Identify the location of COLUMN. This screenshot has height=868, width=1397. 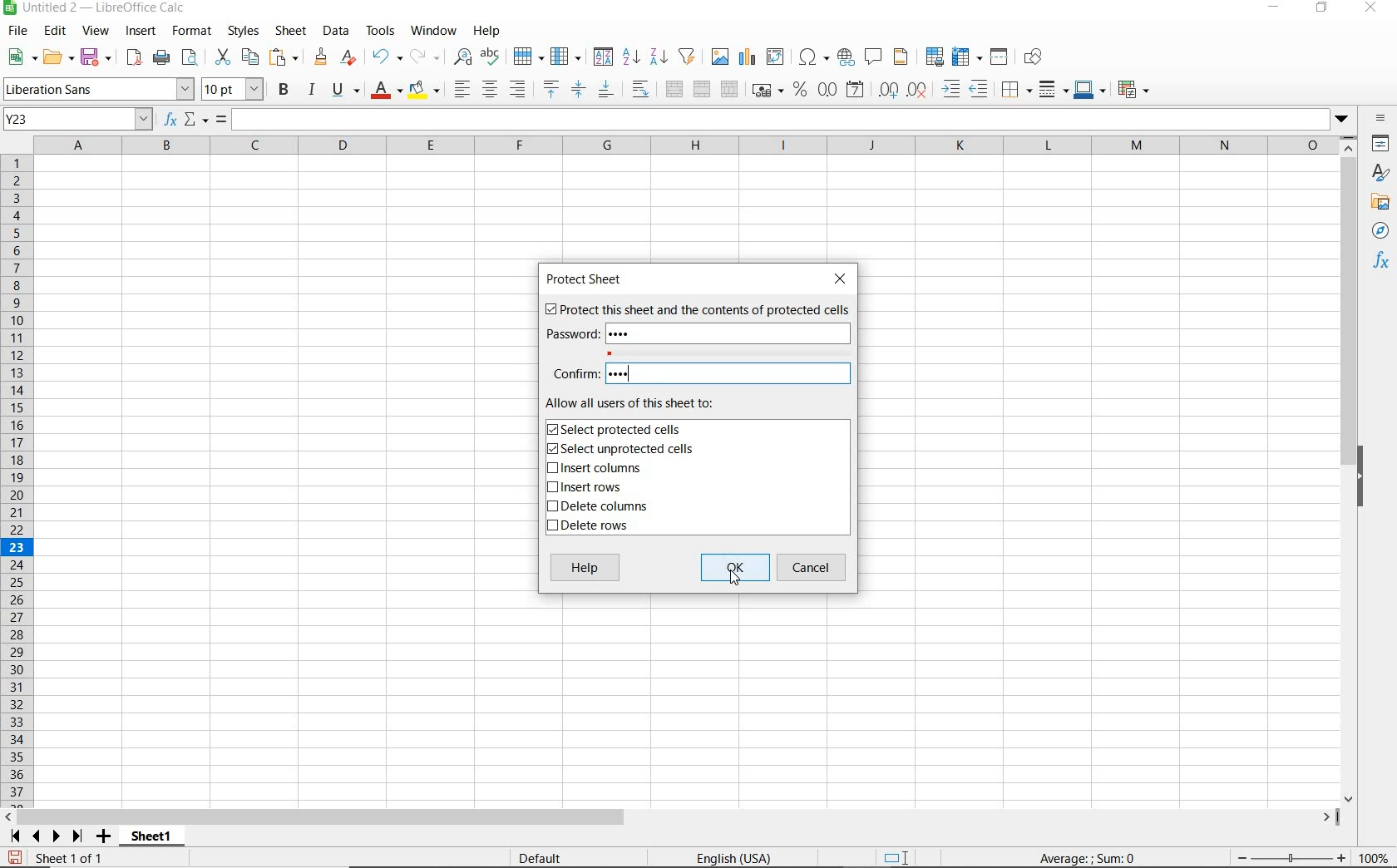
(568, 57).